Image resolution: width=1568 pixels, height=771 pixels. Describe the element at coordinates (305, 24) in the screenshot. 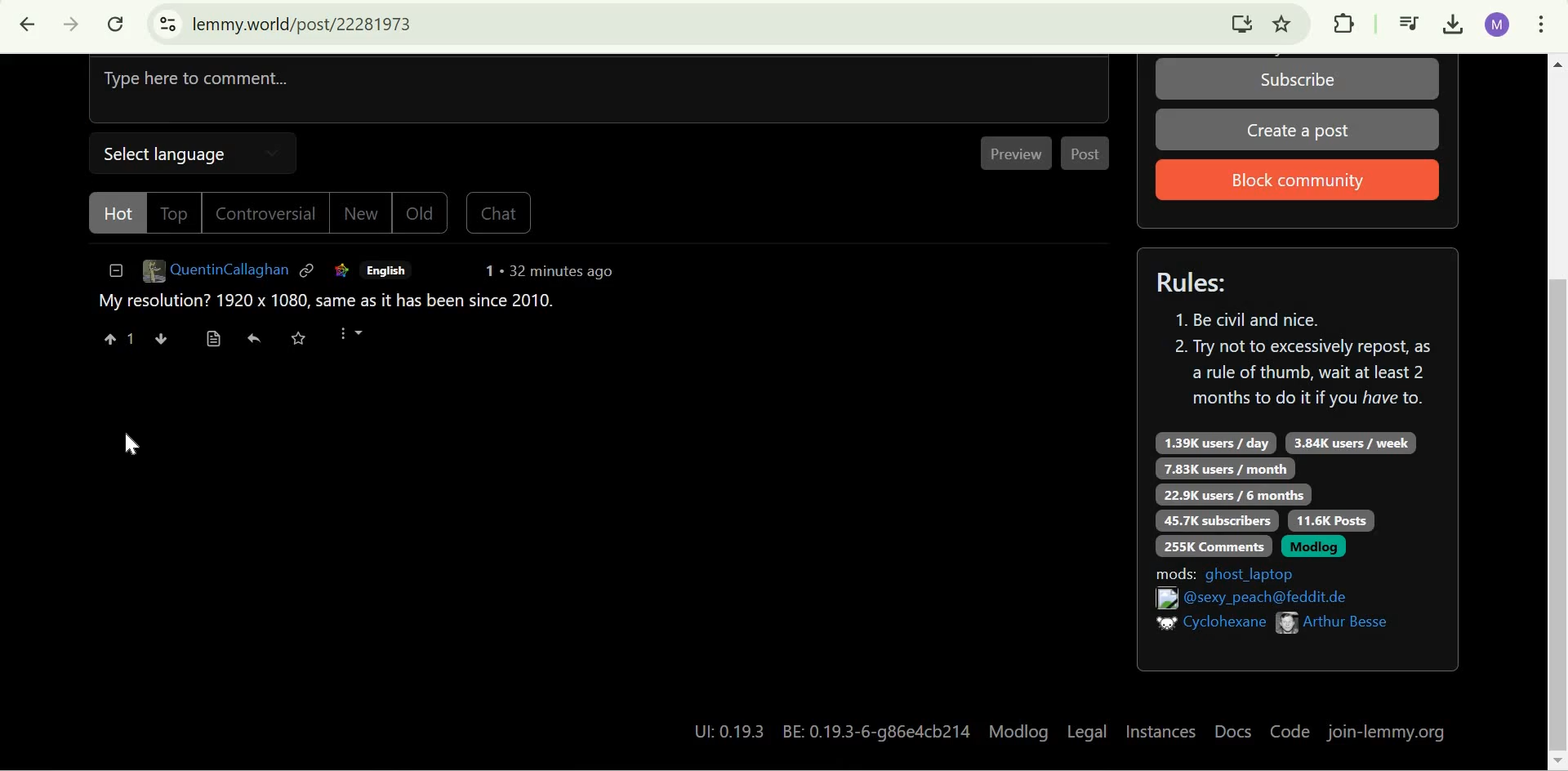

I see `lemmy.world/post/22281973` at that location.